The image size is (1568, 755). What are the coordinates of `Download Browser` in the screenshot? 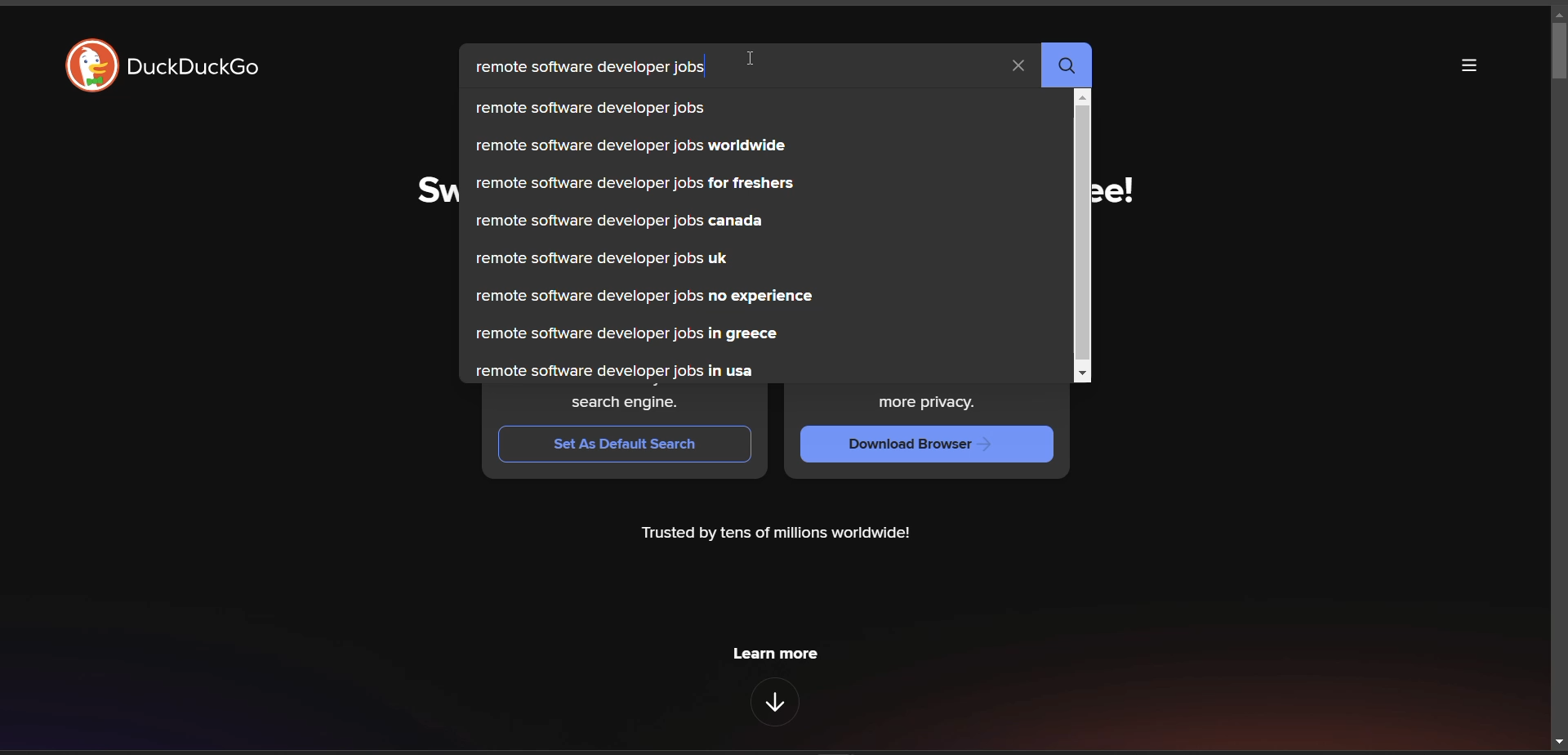 It's located at (923, 445).